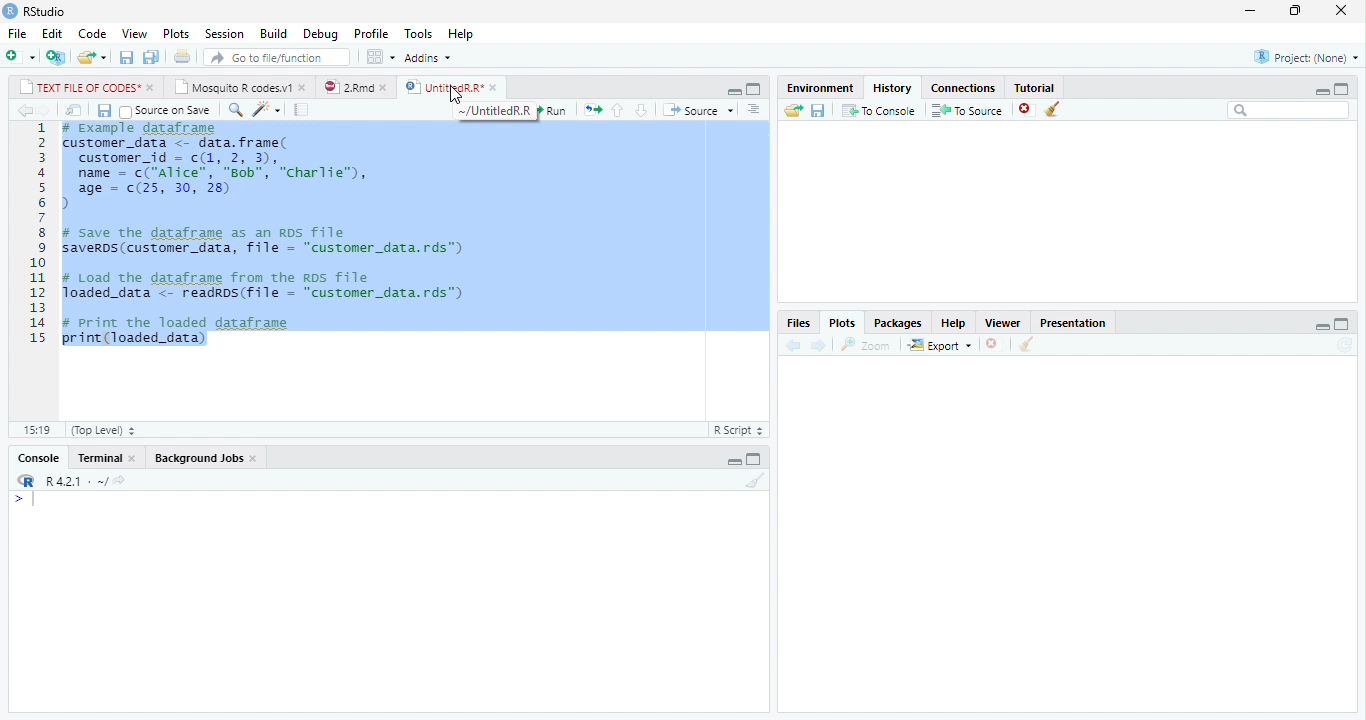 This screenshot has width=1366, height=720. What do you see at coordinates (734, 462) in the screenshot?
I see `minimize` at bounding box center [734, 462].